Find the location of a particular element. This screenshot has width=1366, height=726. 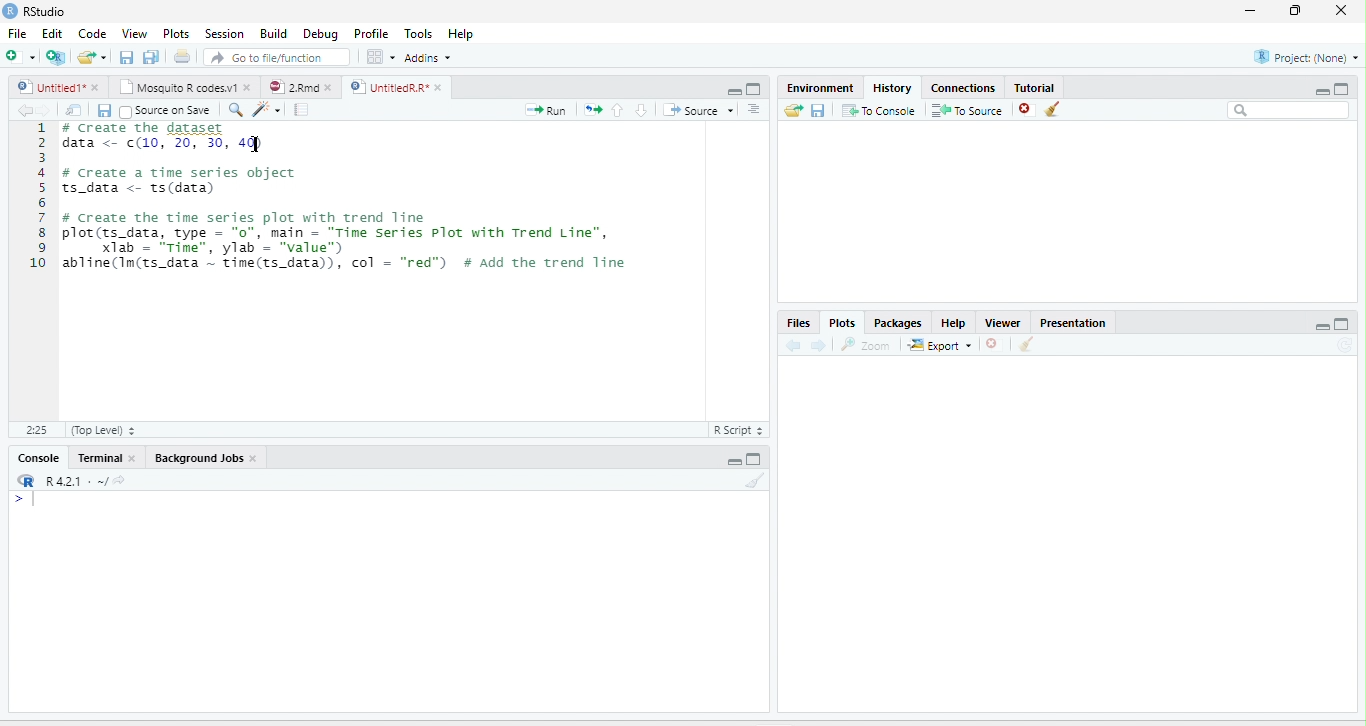

Clear all history entries is located at coordinates (1053, 109).